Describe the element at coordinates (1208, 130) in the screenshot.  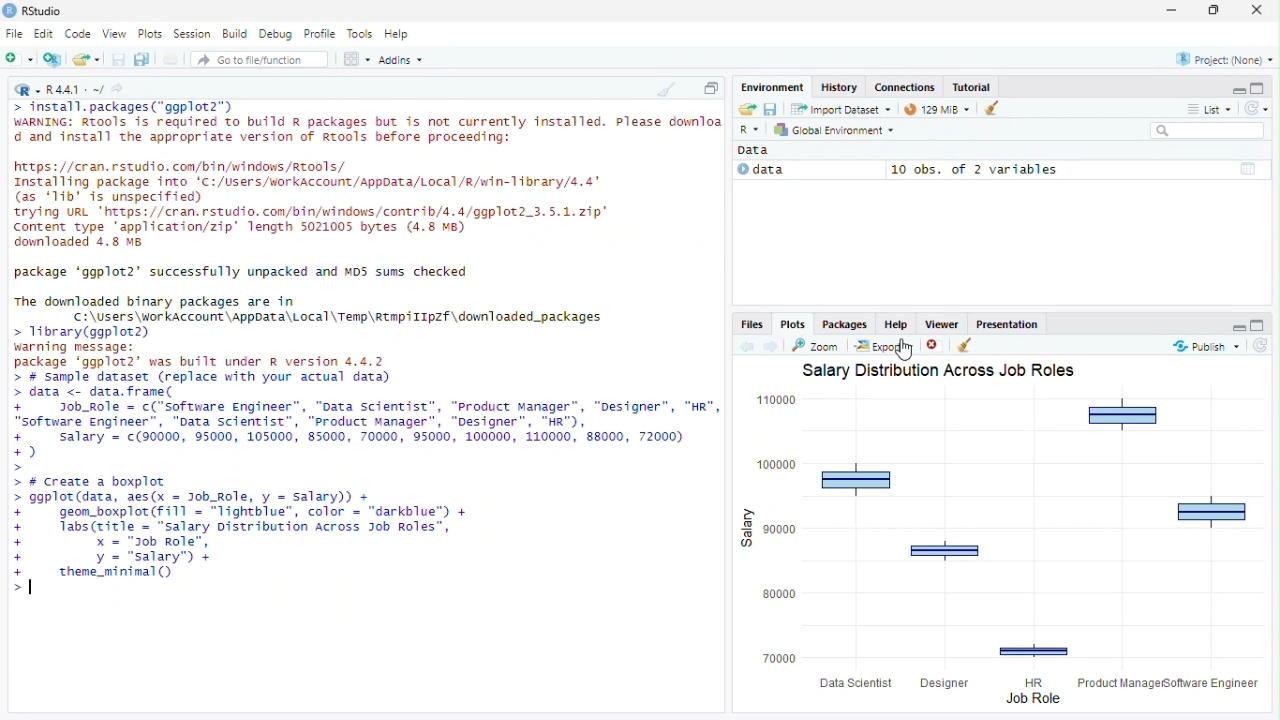
I see `Search` at that location.